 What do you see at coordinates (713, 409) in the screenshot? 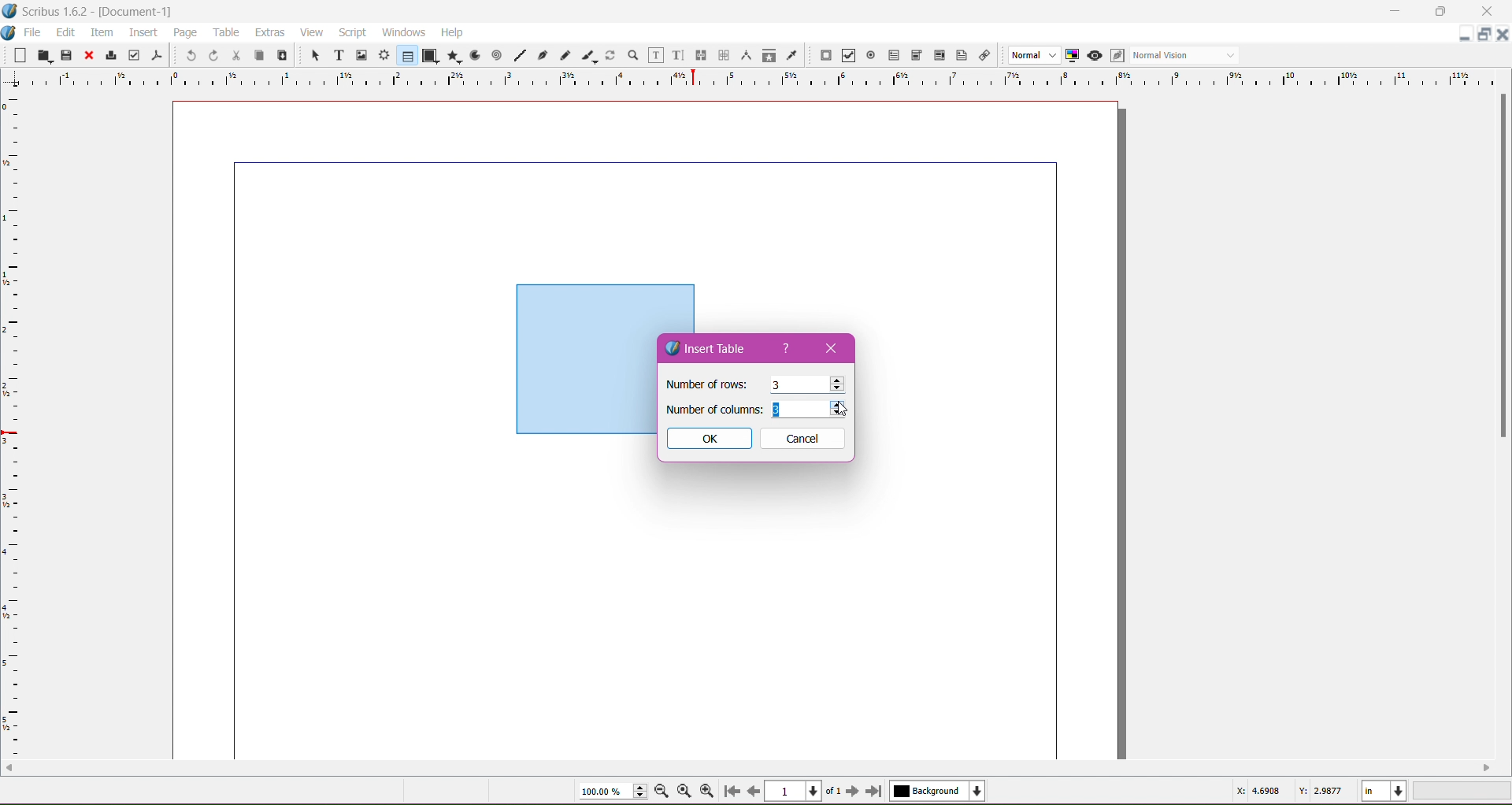
I see `Number of columns:` at bounding box center [713, 409].